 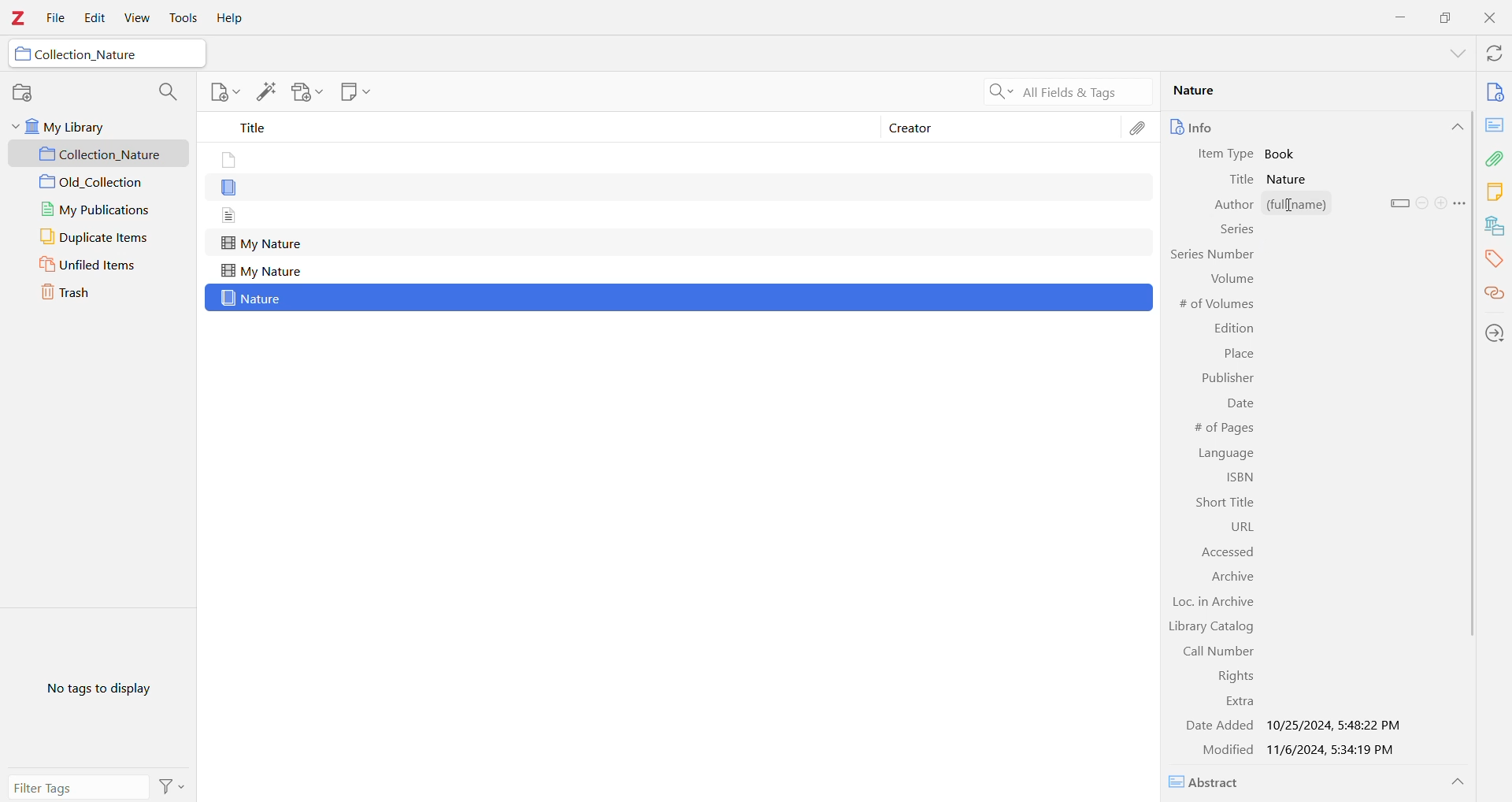 What do you see at coordinates (135, 18) in the screenshot?
I see `View` at bounding box center [135, 18].